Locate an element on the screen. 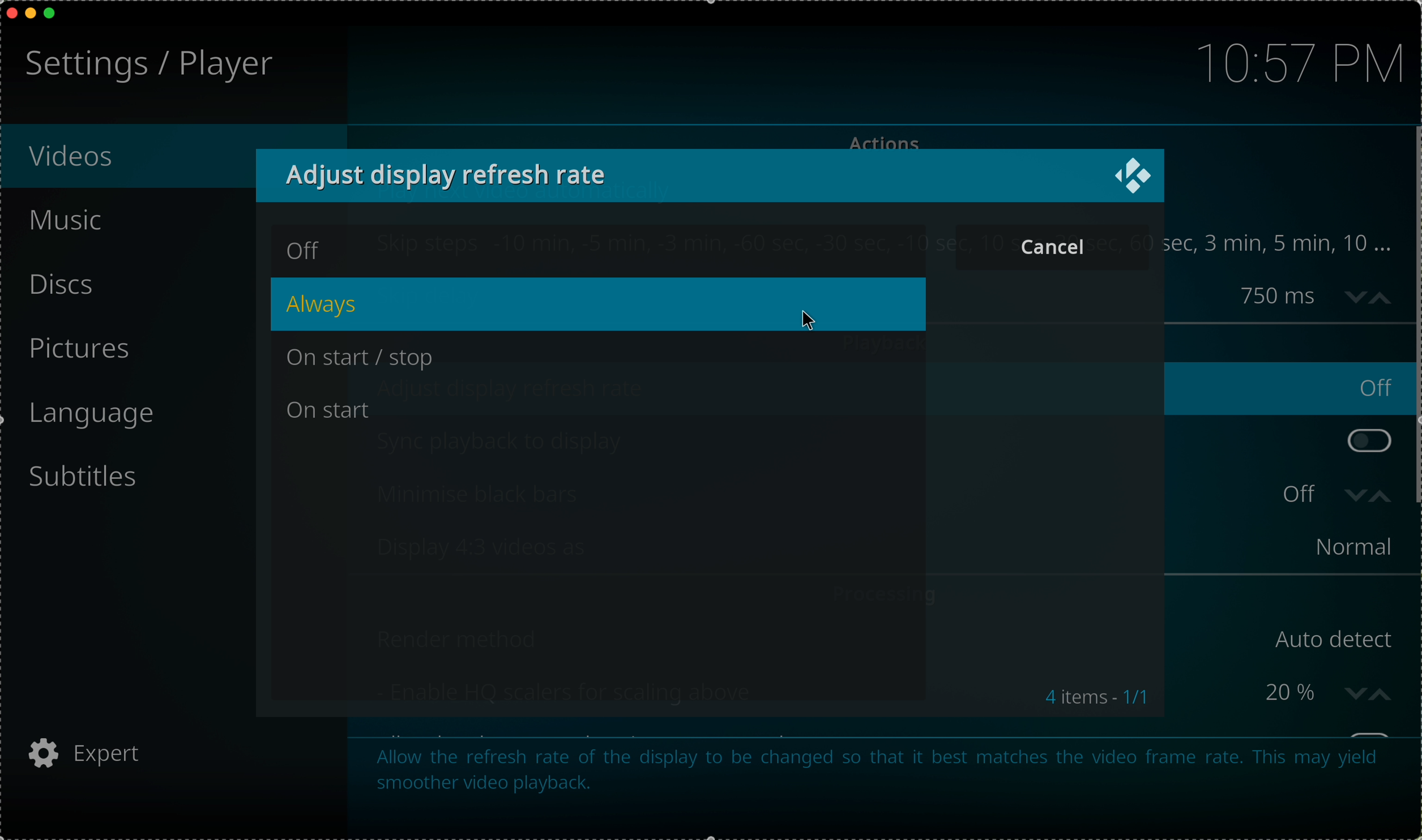 This screenshot has height=840, width=1422. on start is located at coordinates (331, 410).